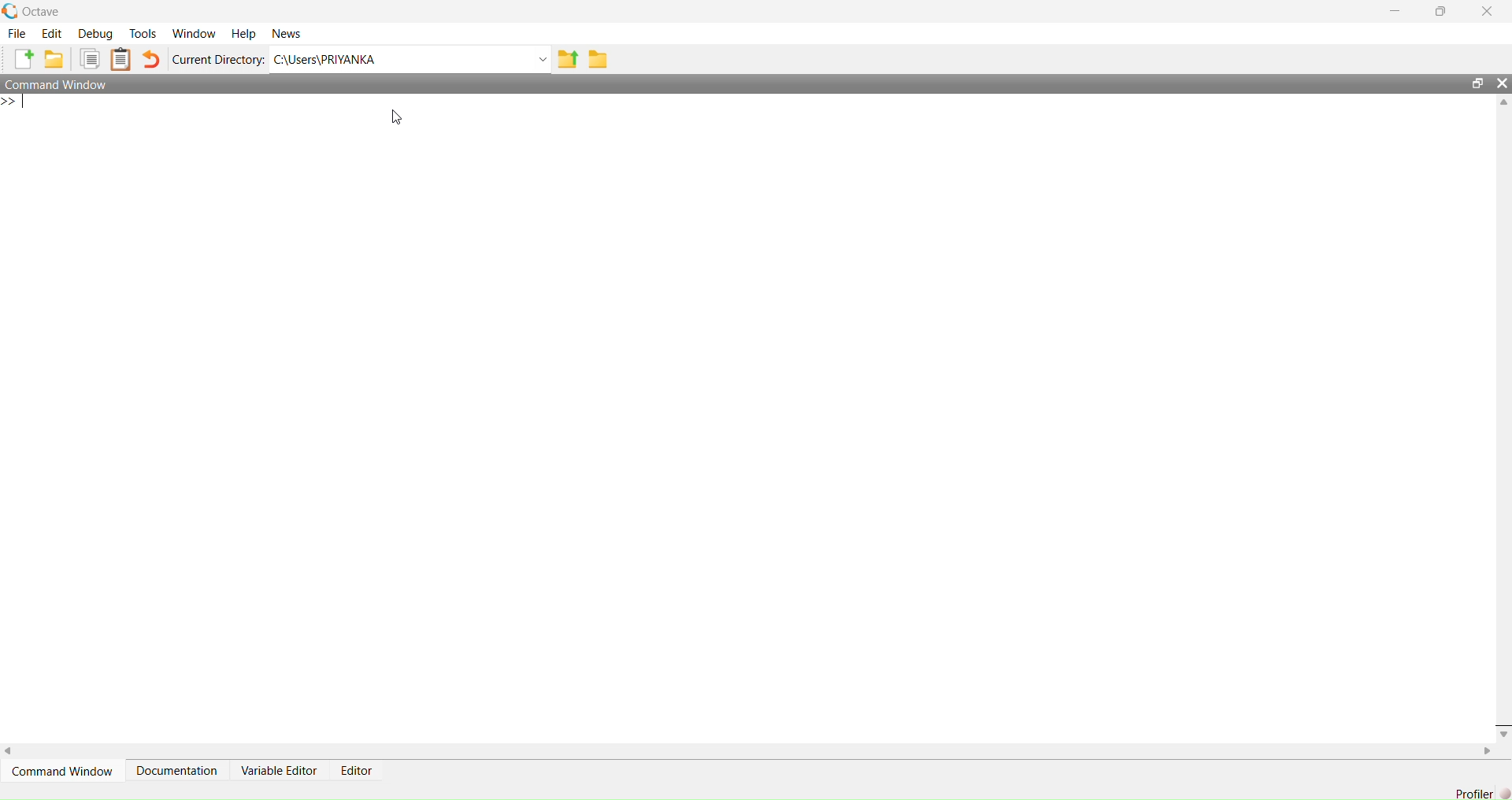 The width and height of the screenshot is (1512, 800). What do you see at coordinates (1503, 734) in the screenshot?
I see `Down` at bounding box center [1503, 734].